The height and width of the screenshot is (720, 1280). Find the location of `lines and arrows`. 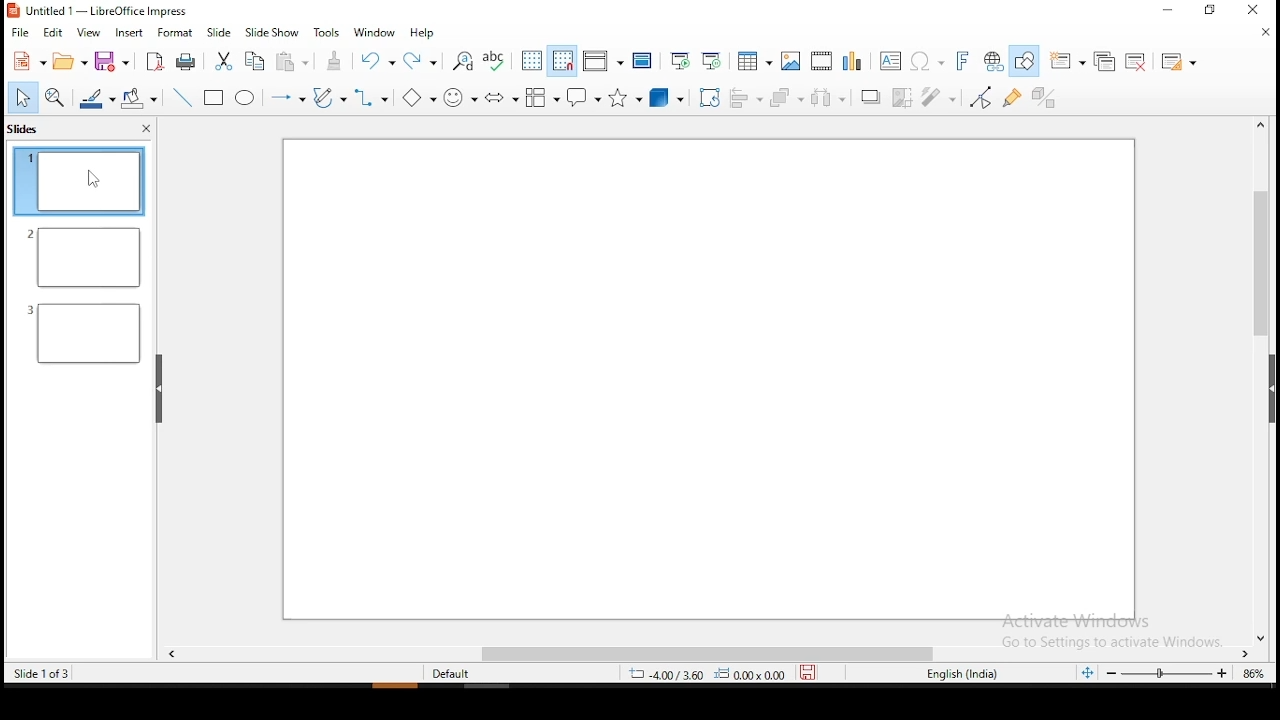

lines and arrows is located at coordinates (287, 98).